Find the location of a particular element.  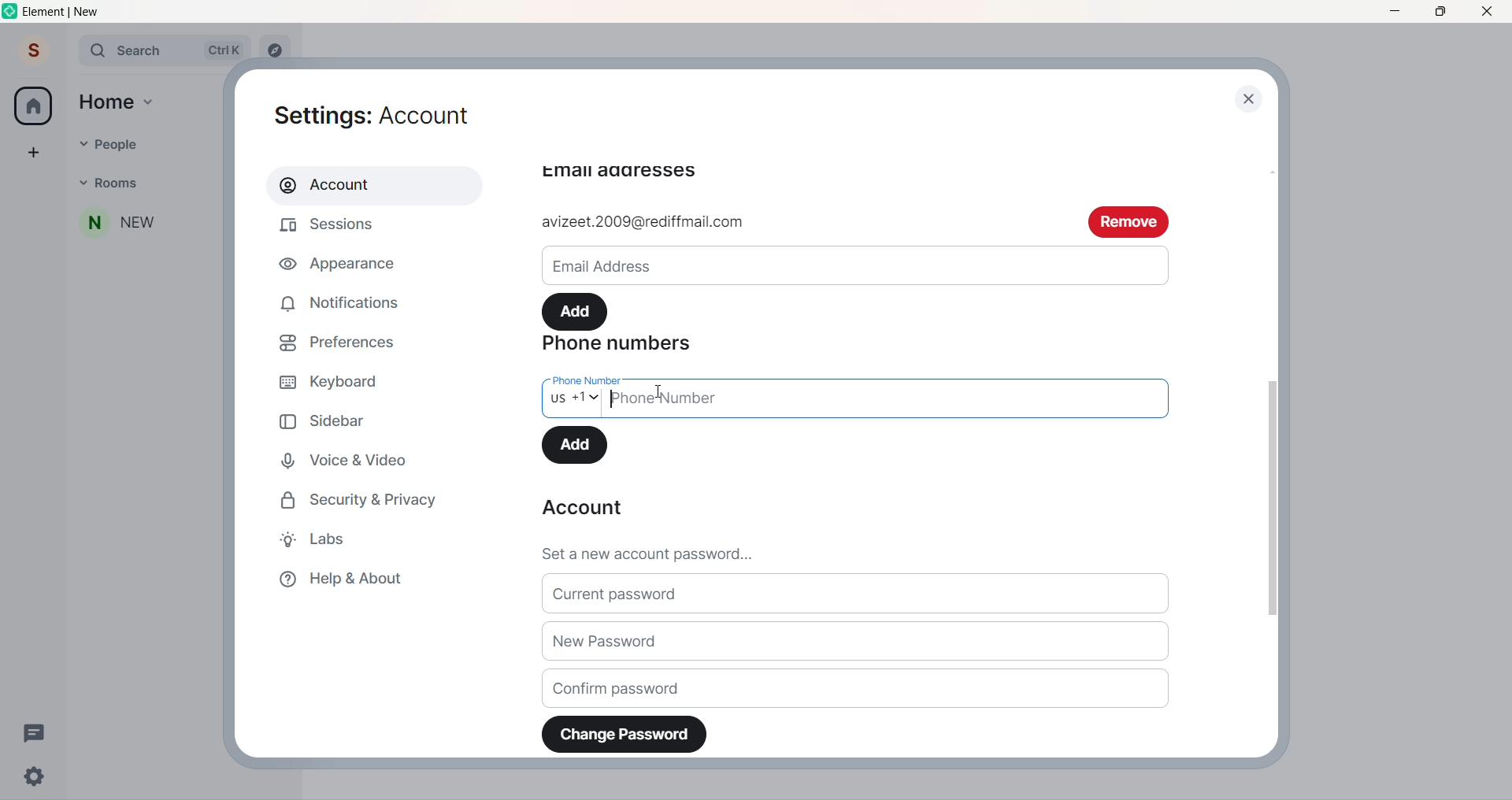

remove is located at coordinates (1129, 220).